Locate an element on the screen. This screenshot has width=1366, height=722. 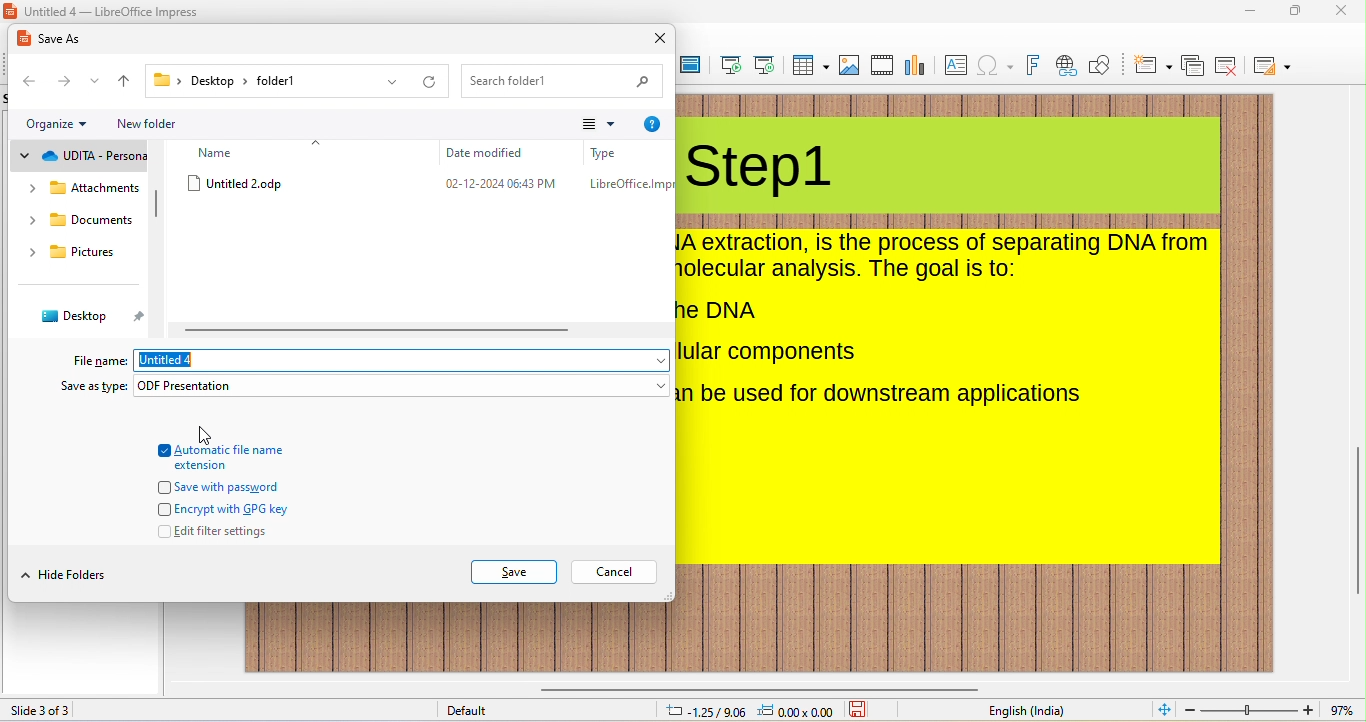
logo is located at coordinates (11, 11).